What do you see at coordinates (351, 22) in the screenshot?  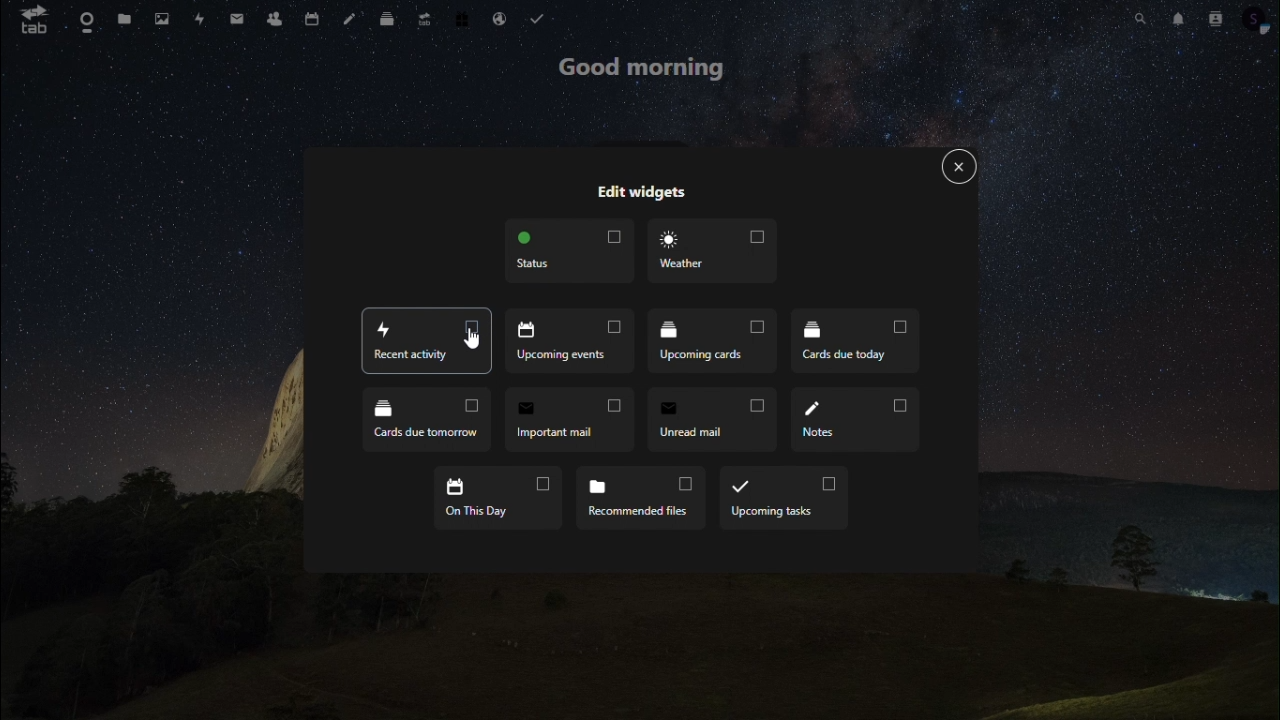 I see `note` at bounding box center [351, 22].